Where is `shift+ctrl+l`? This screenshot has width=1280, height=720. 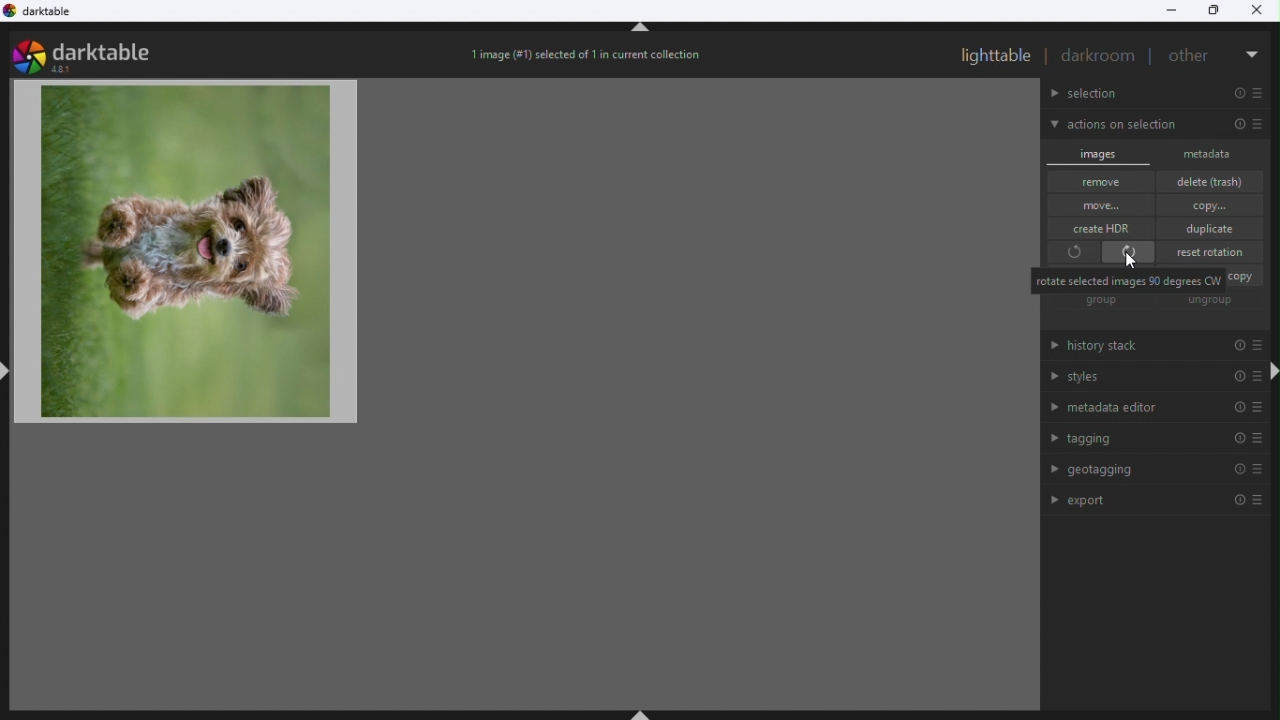 shift+ctrl+l is located at coordinates (8, 369).